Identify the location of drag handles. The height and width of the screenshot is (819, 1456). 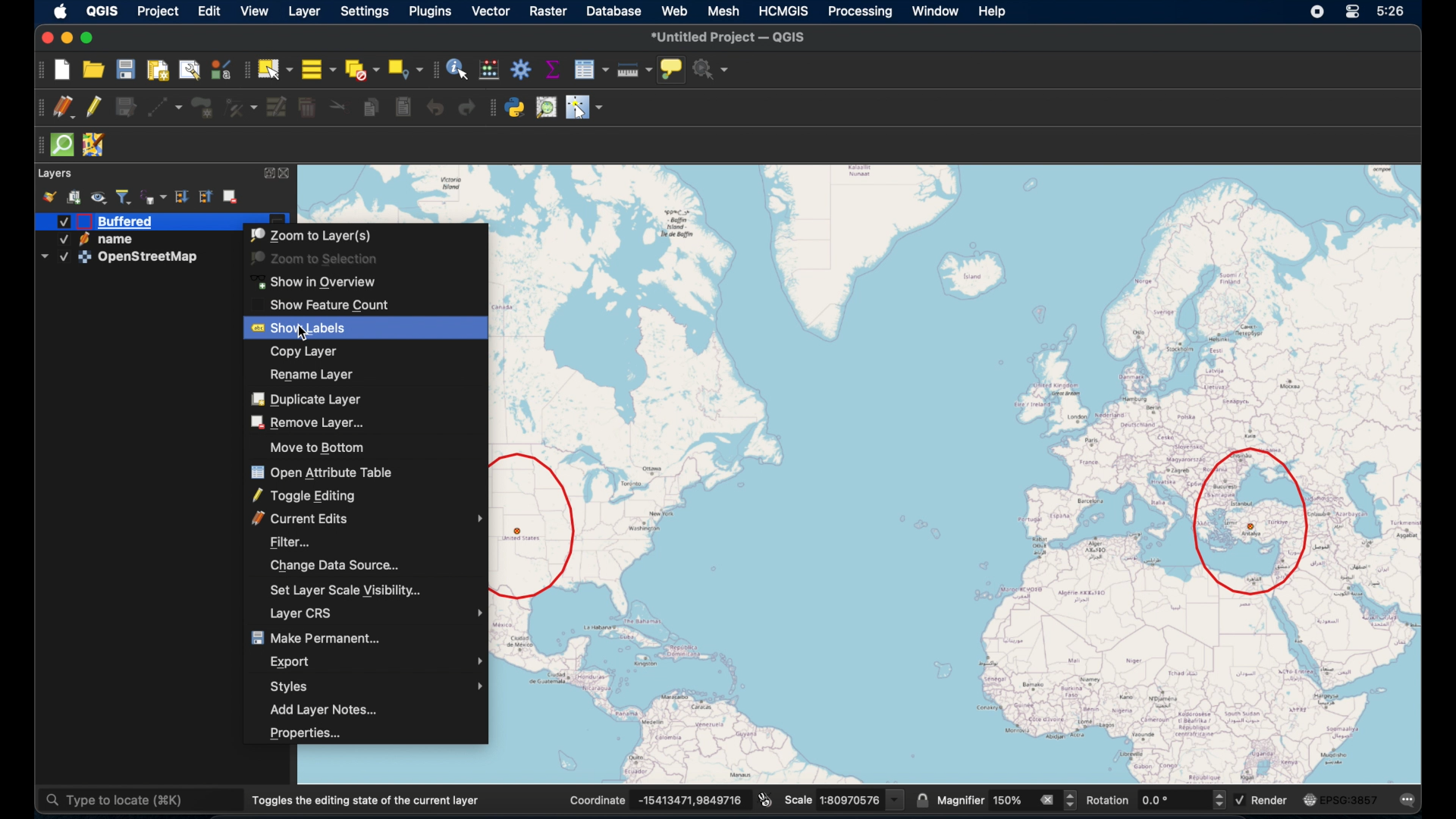
(37, 108).